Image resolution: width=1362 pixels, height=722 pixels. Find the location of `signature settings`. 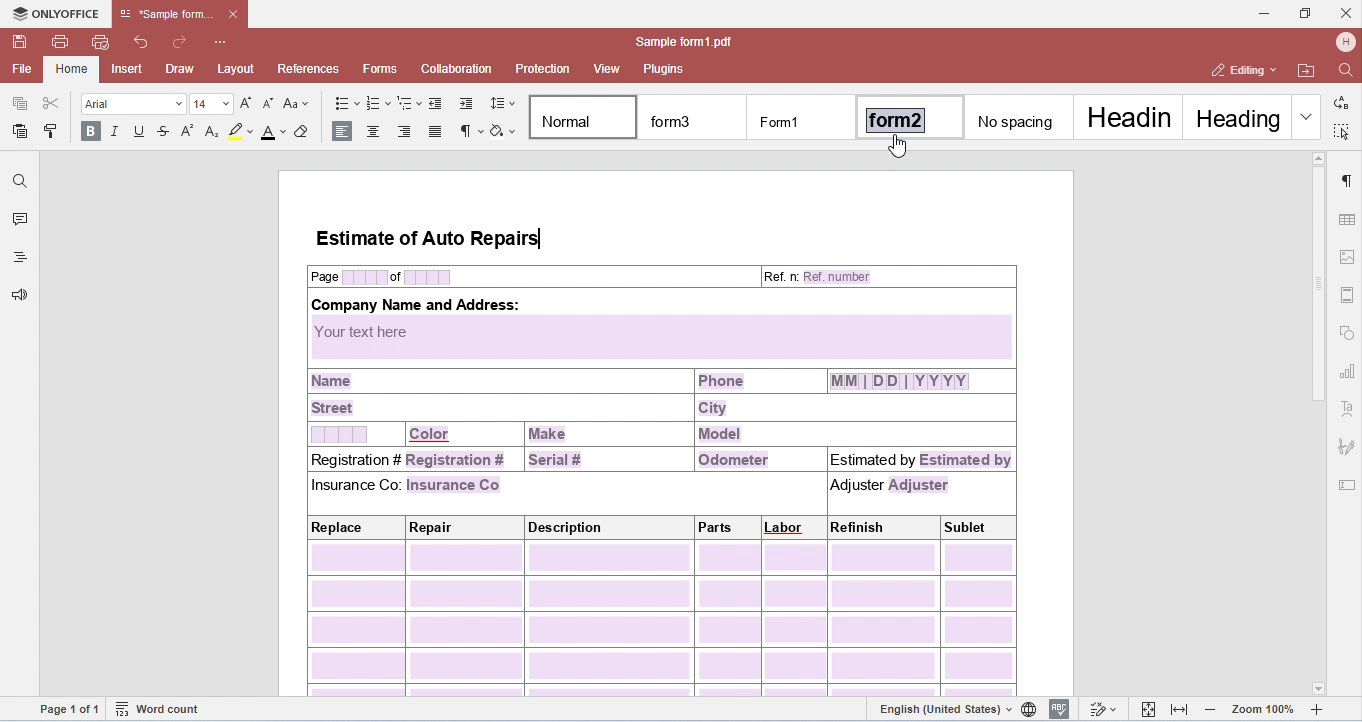

signature settings is located at coordinates (1345, 444).